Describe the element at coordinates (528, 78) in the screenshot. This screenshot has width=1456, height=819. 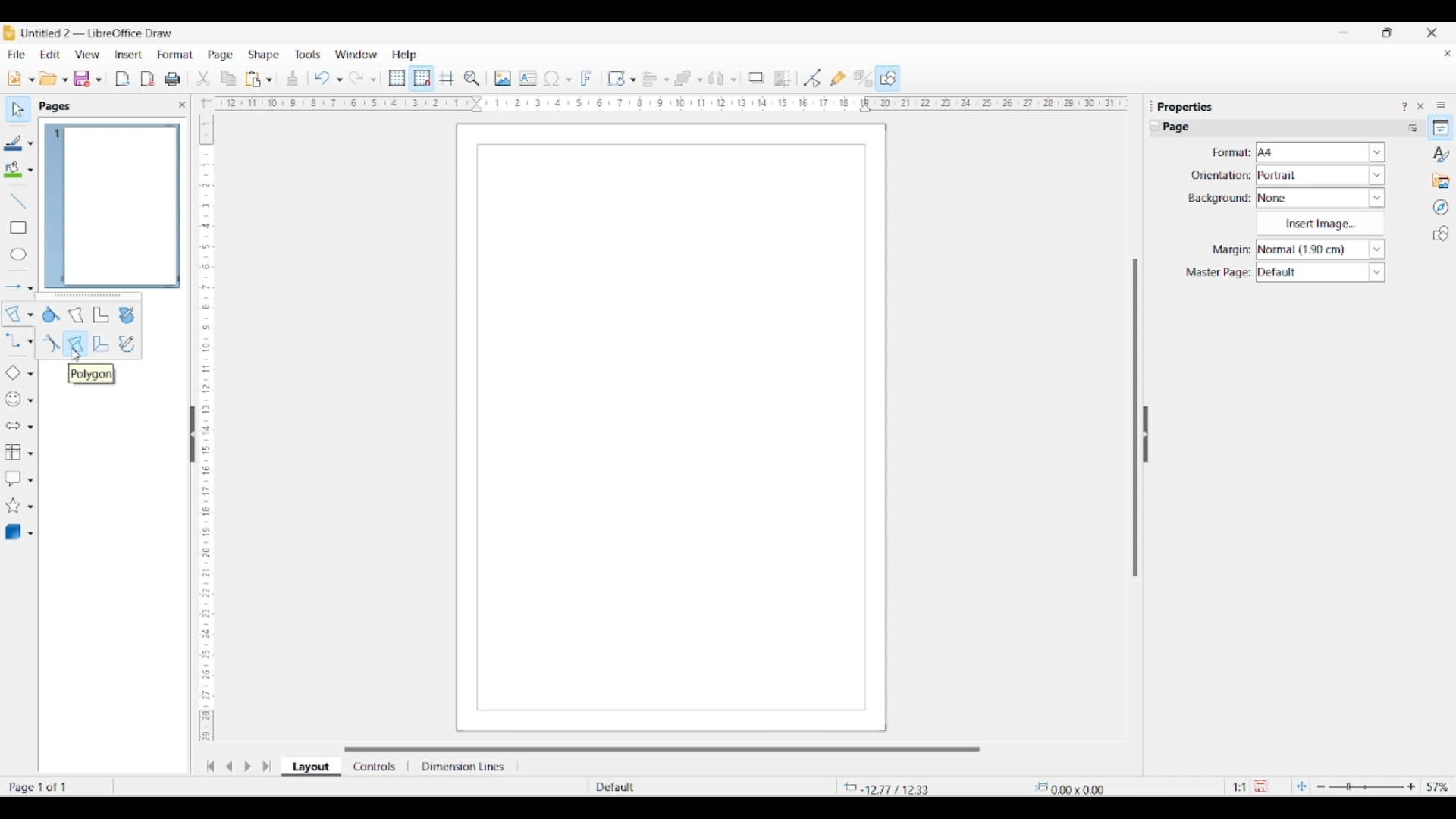
I see `Insert text box` at that location.